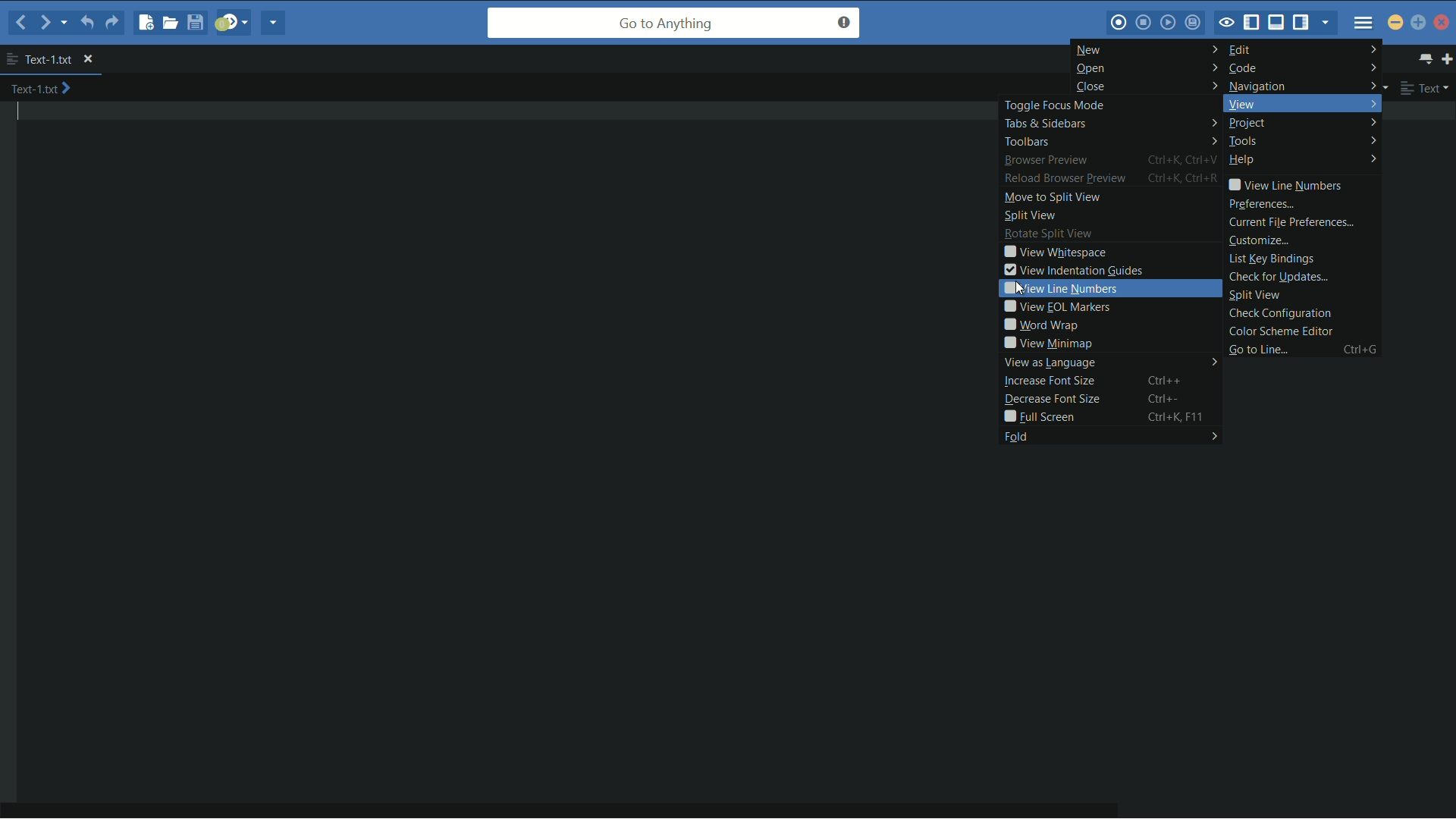 The image size is (1456, 819). I want to click on go to line, so click(1259, 350).